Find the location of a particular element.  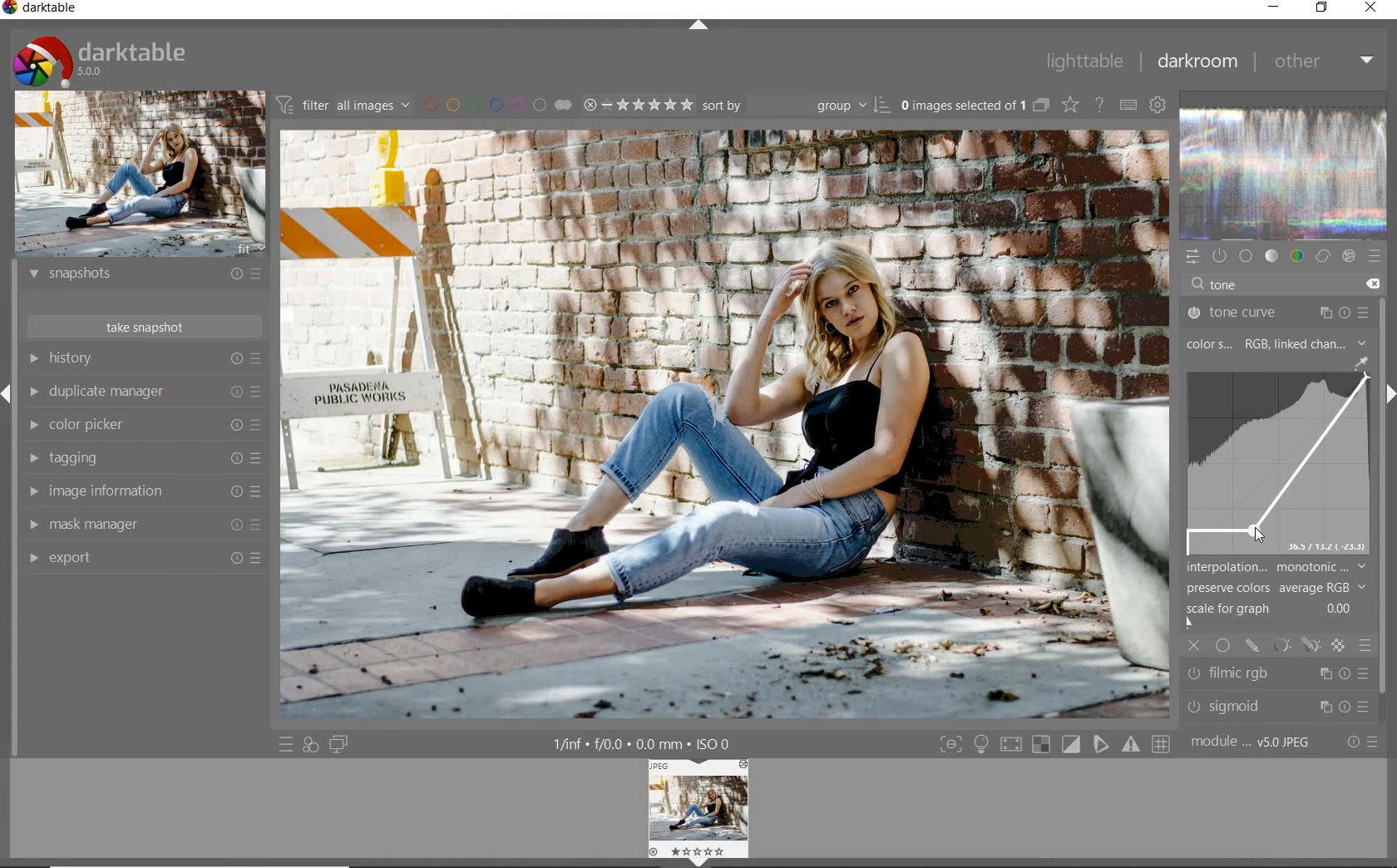

filmic rgb is located at coordinates (1278, 674).